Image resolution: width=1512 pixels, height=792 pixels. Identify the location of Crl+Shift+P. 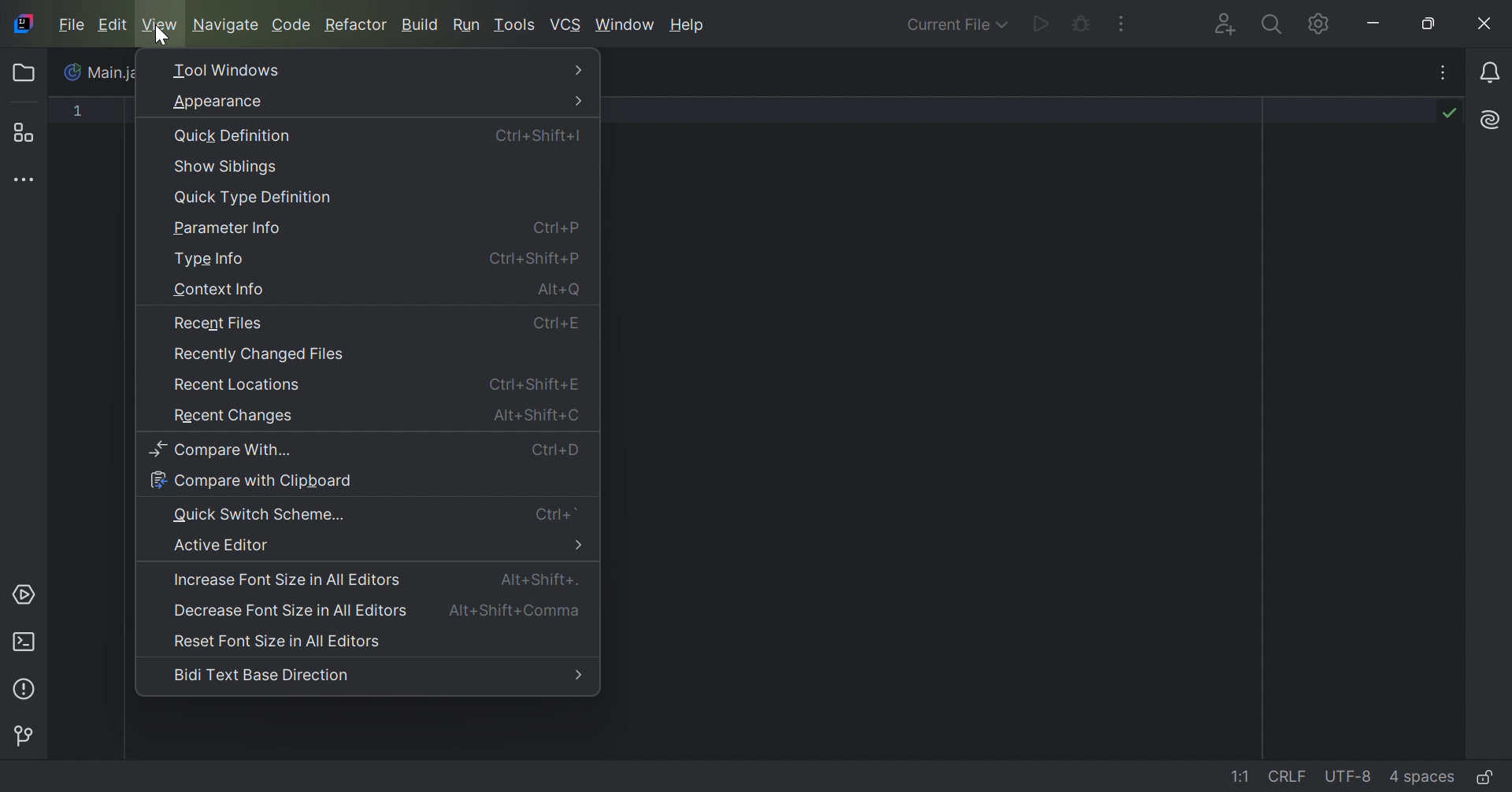
(532, 257).